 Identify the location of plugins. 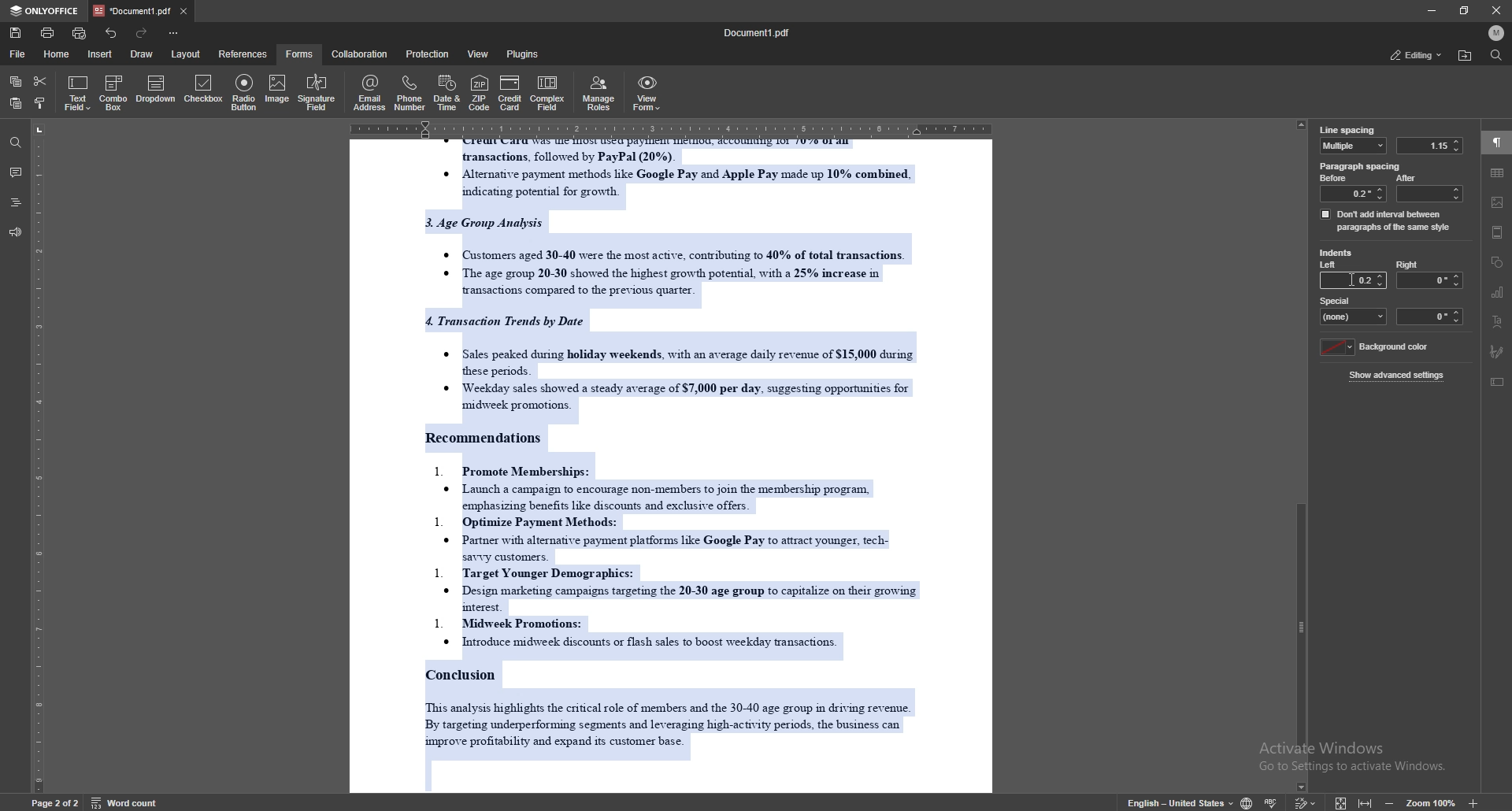
(524, 54).